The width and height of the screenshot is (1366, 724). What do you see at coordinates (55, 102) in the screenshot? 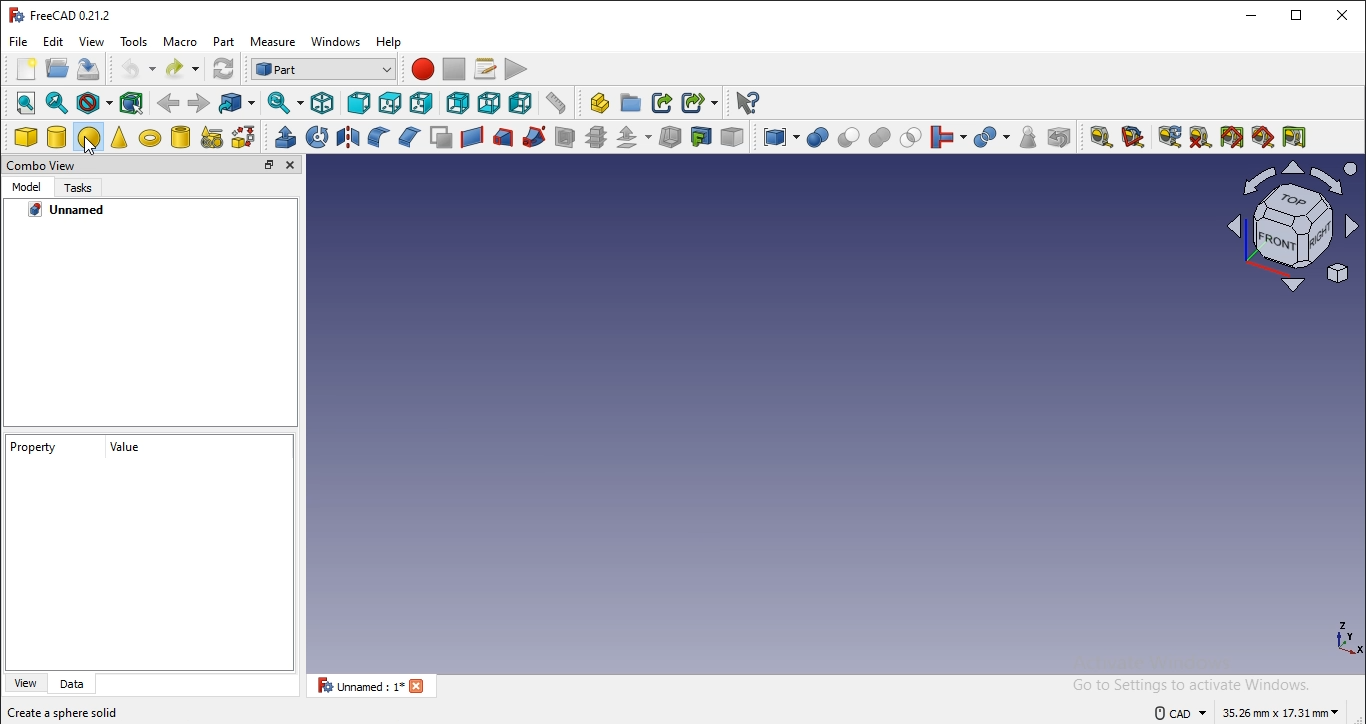
I see `fit selection` at bounding box center [55, 102].